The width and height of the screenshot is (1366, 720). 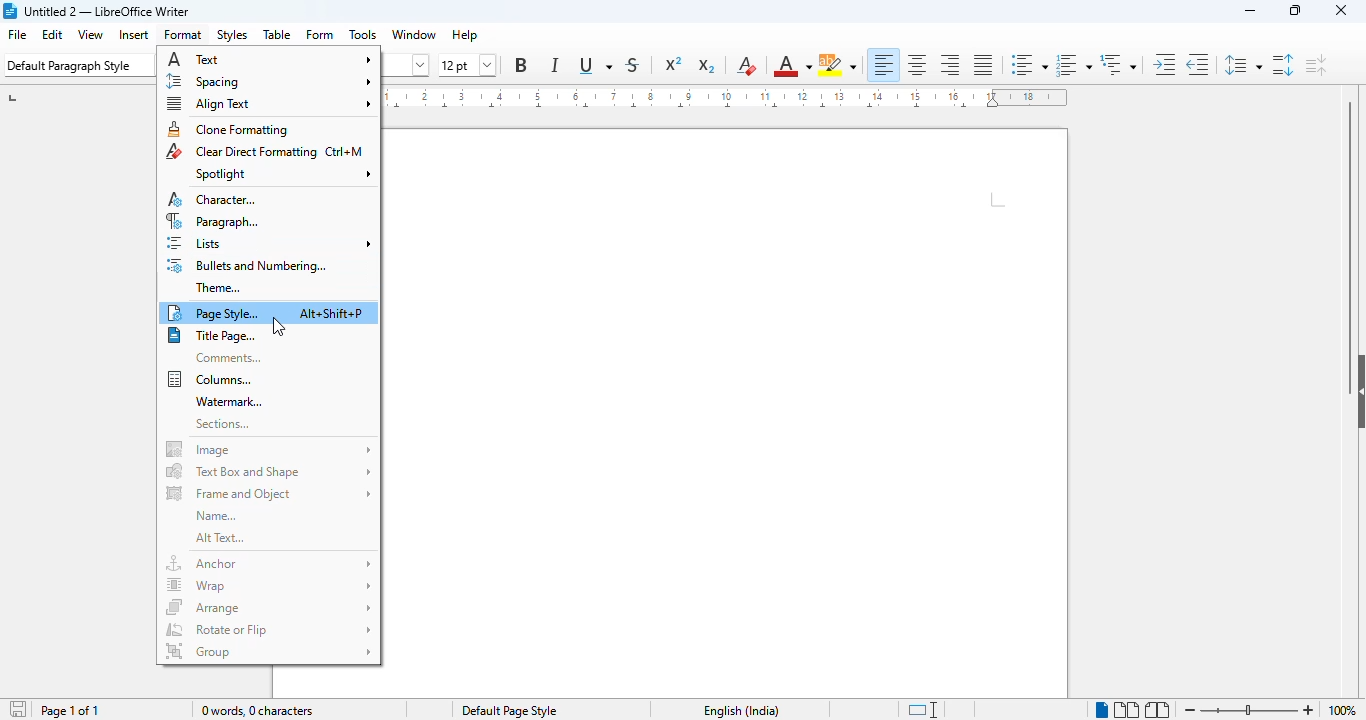 What do you see at coordinates (1349, 222) in the screenshot?
I see `vertical scroll bar` at bounding box center [1349, 222].